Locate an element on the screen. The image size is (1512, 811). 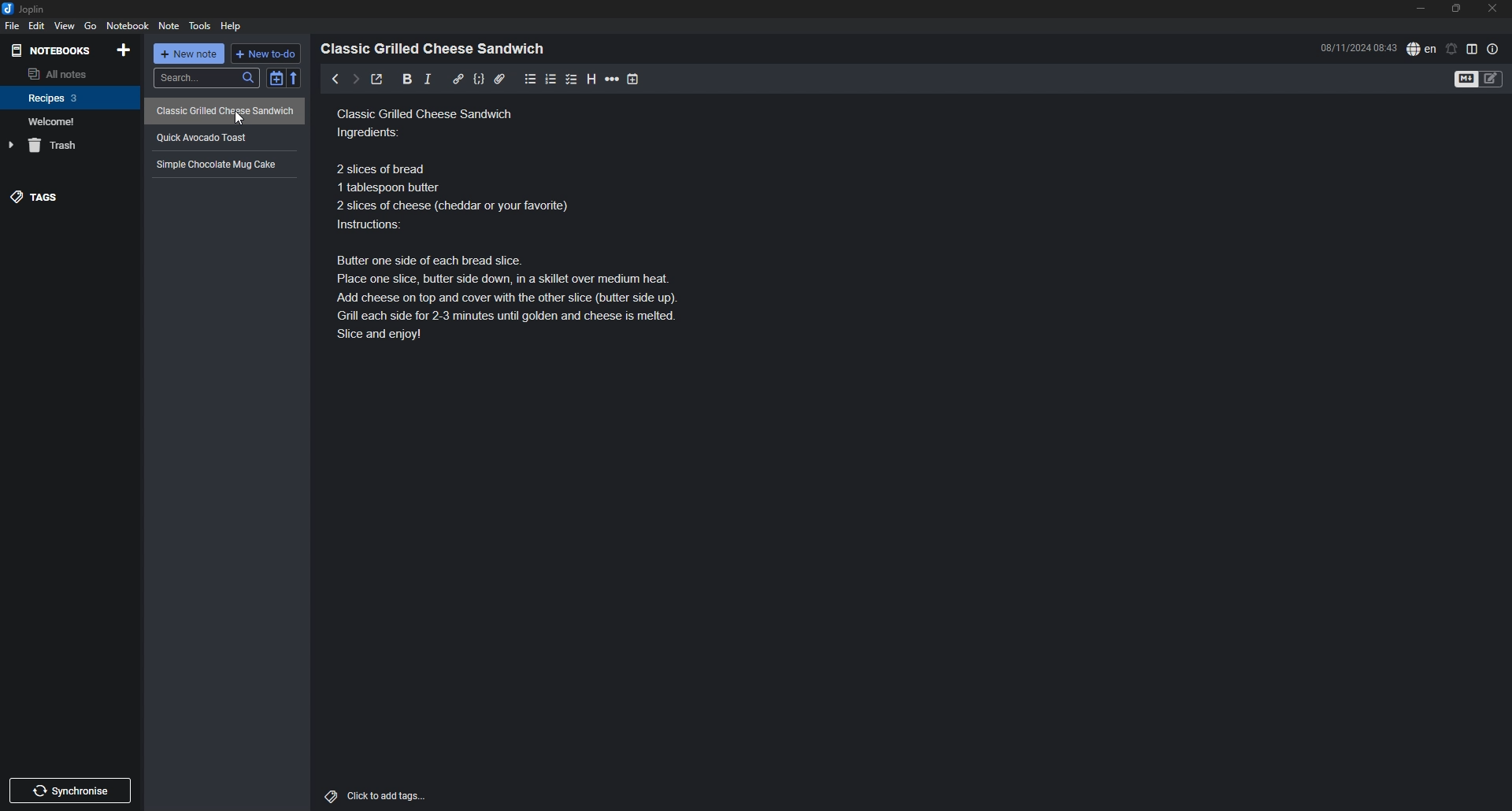
file is located at coordinates (11, 25).